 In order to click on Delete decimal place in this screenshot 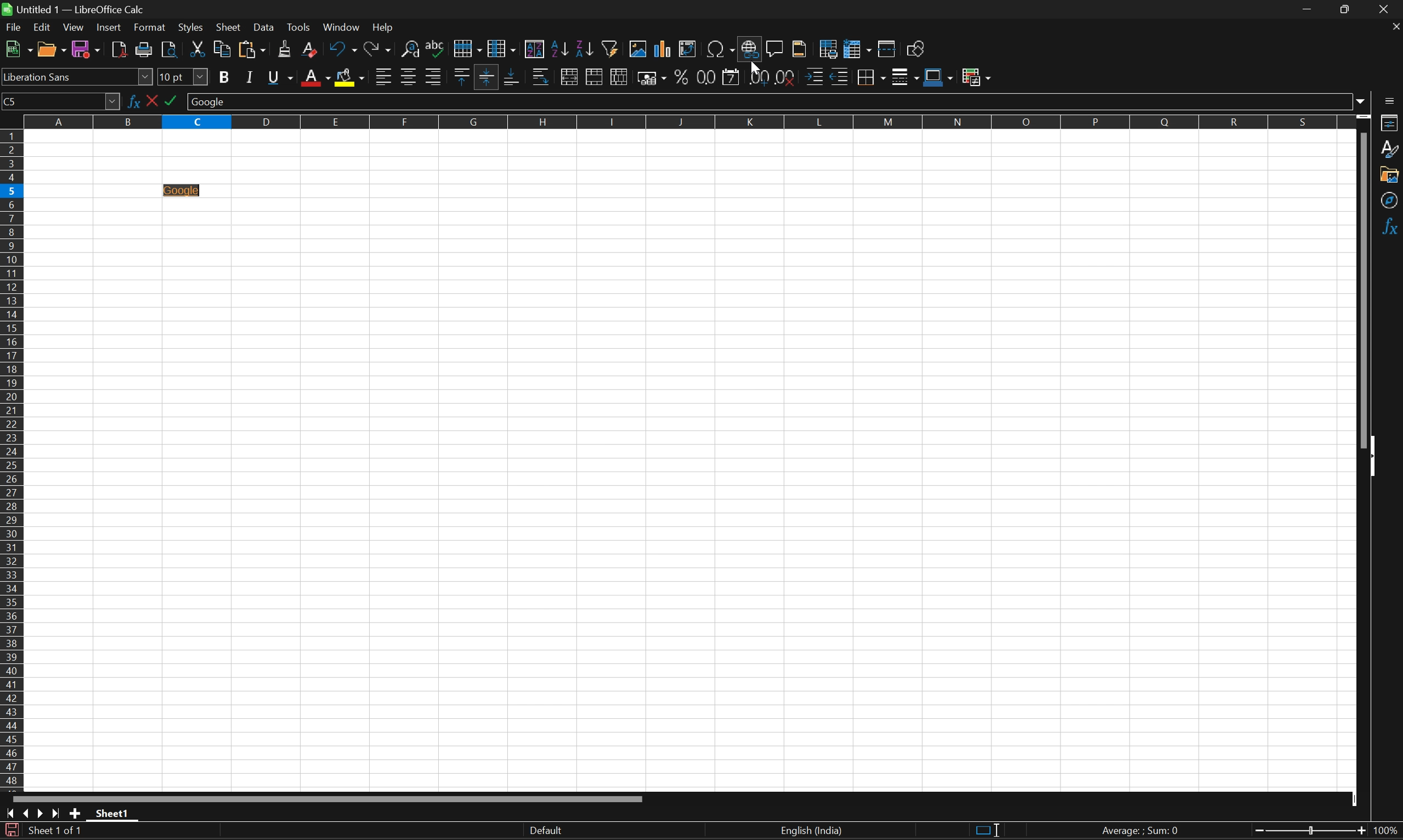, I will do `click(788, 78)`.